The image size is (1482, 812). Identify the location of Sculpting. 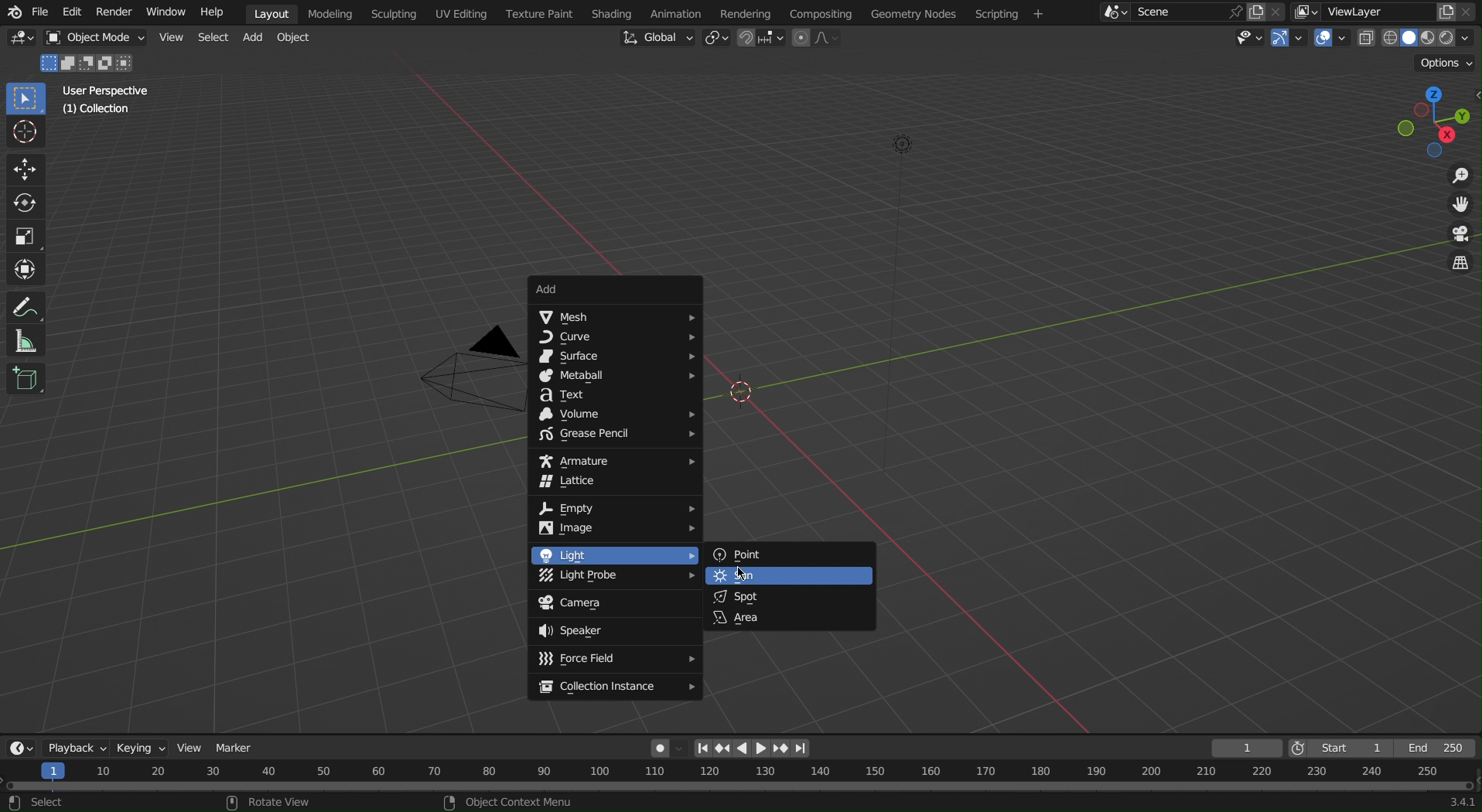
(394, 13).